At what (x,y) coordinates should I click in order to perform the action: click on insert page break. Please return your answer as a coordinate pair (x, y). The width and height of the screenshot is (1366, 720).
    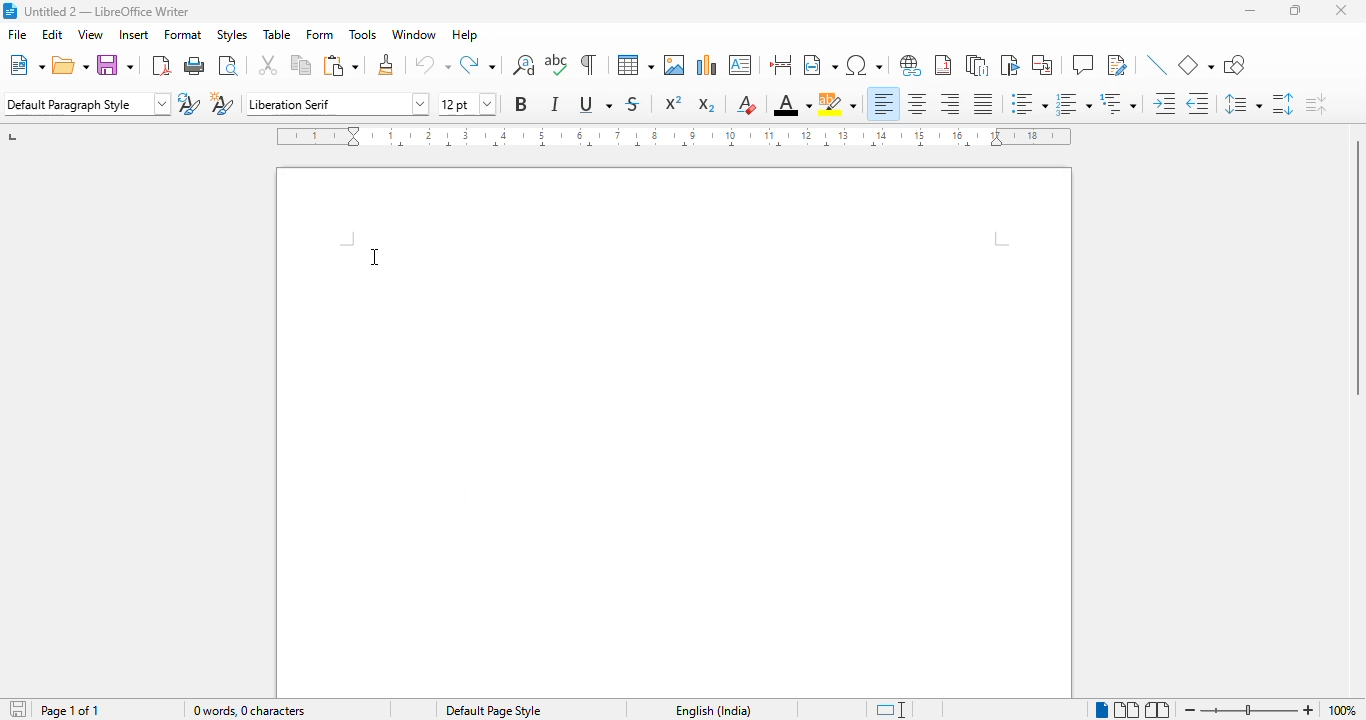
    Looking at the image, I should click on (782, 64).